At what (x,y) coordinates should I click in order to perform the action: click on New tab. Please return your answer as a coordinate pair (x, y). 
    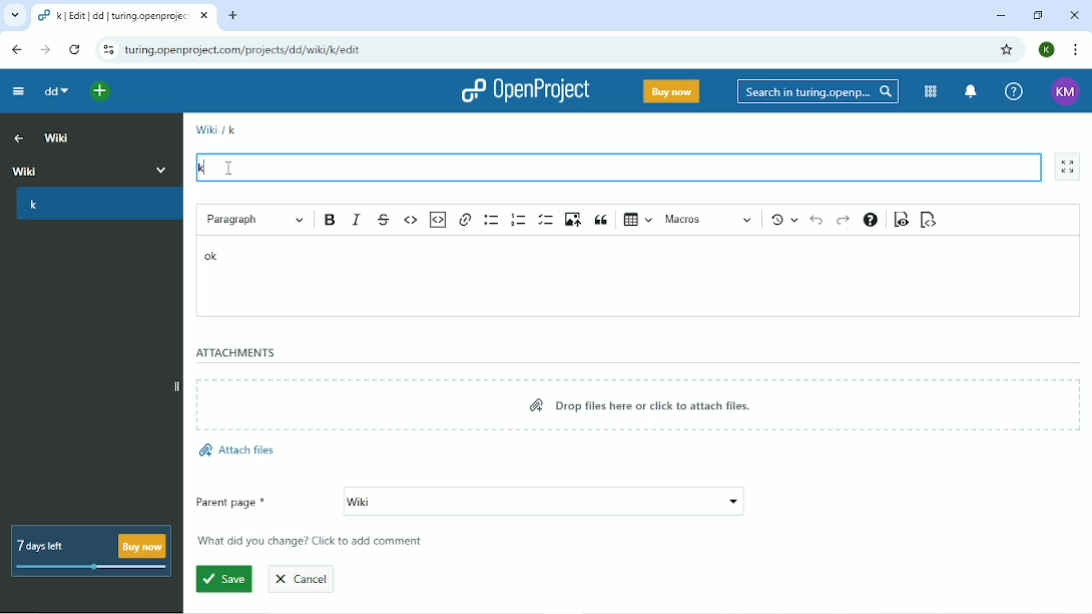
    Looking at the image, I should click on (233, 15).